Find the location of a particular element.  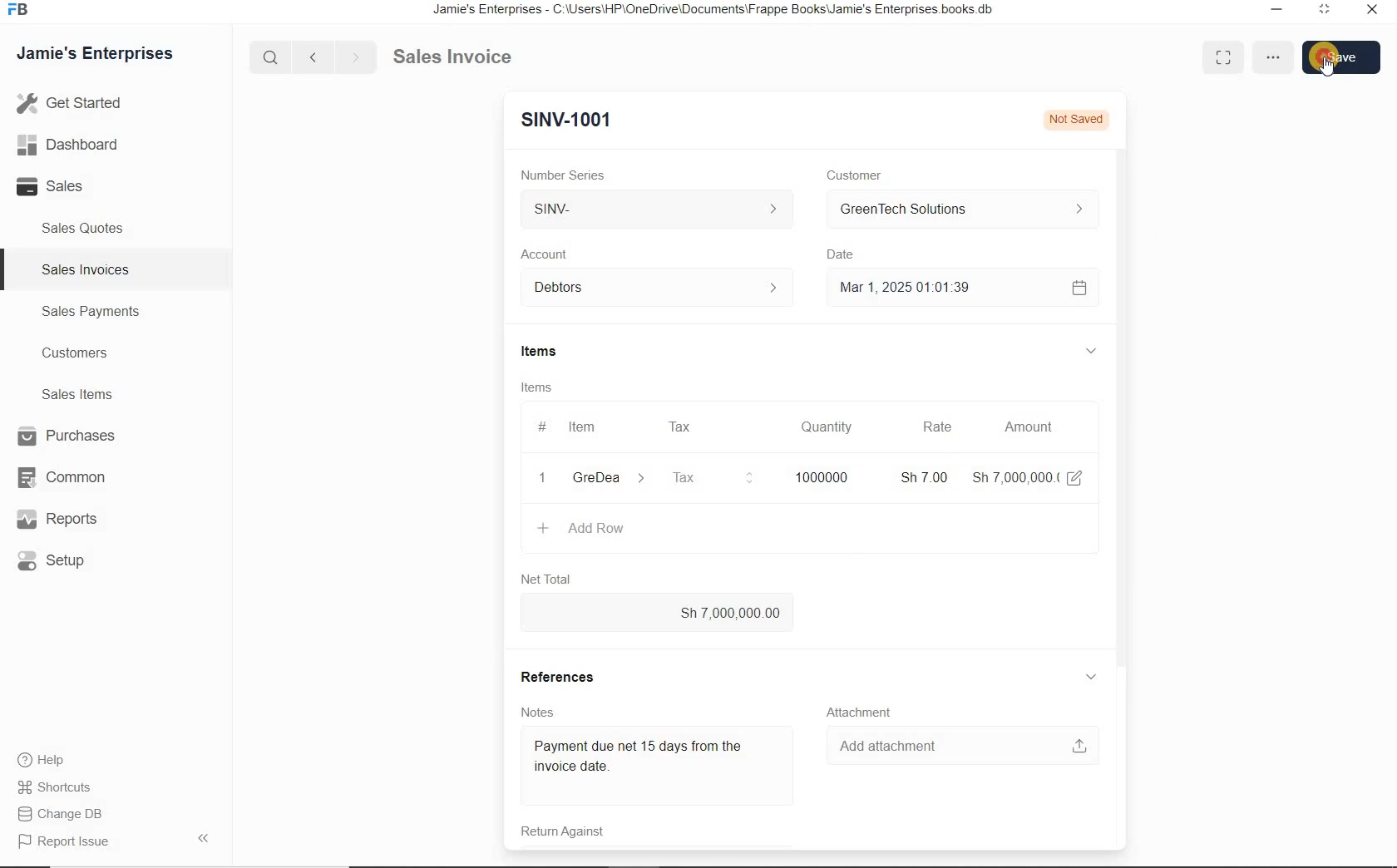

# Item is located at coordinates (578, 429).